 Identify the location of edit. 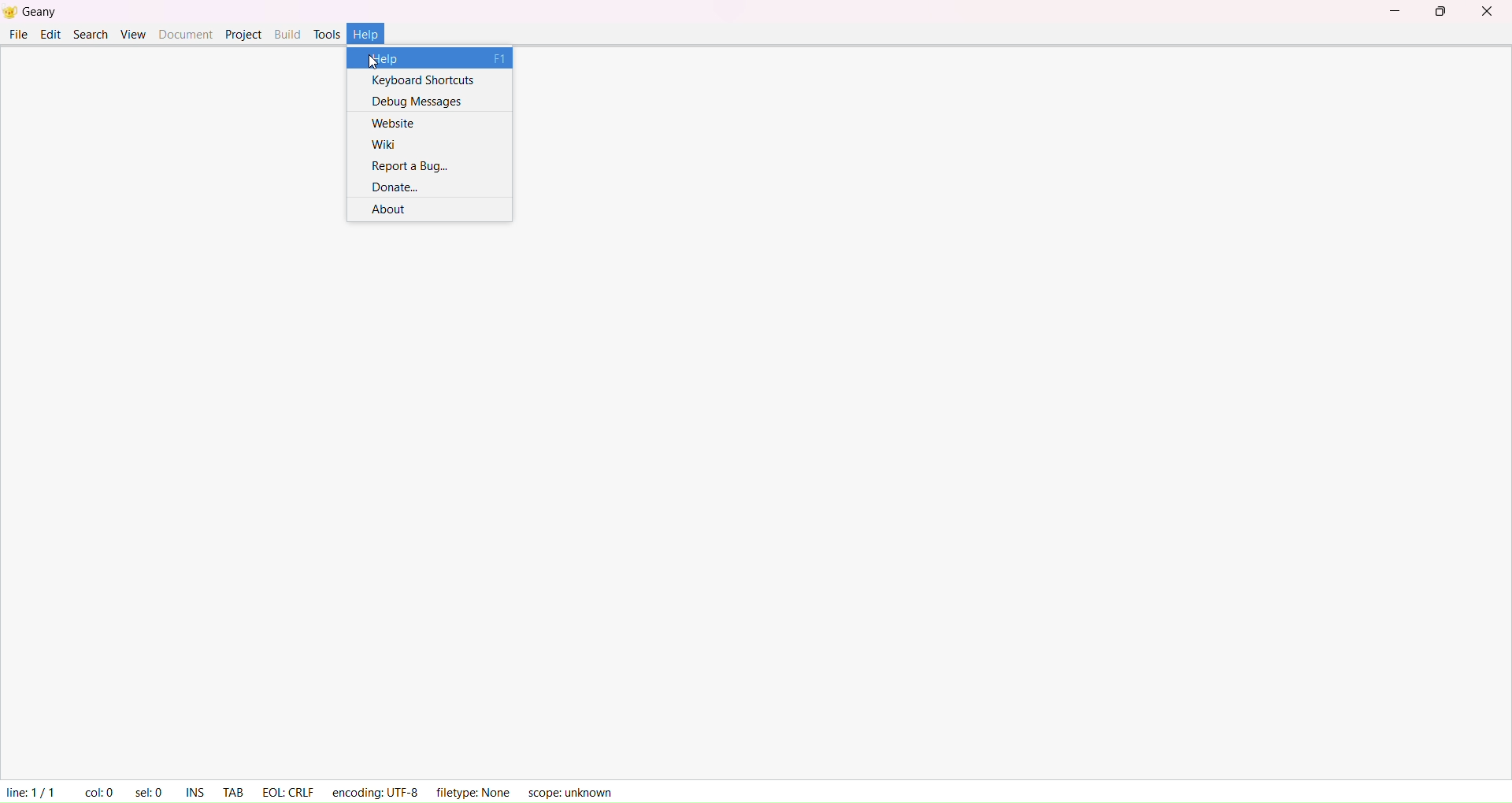
(50, 34).